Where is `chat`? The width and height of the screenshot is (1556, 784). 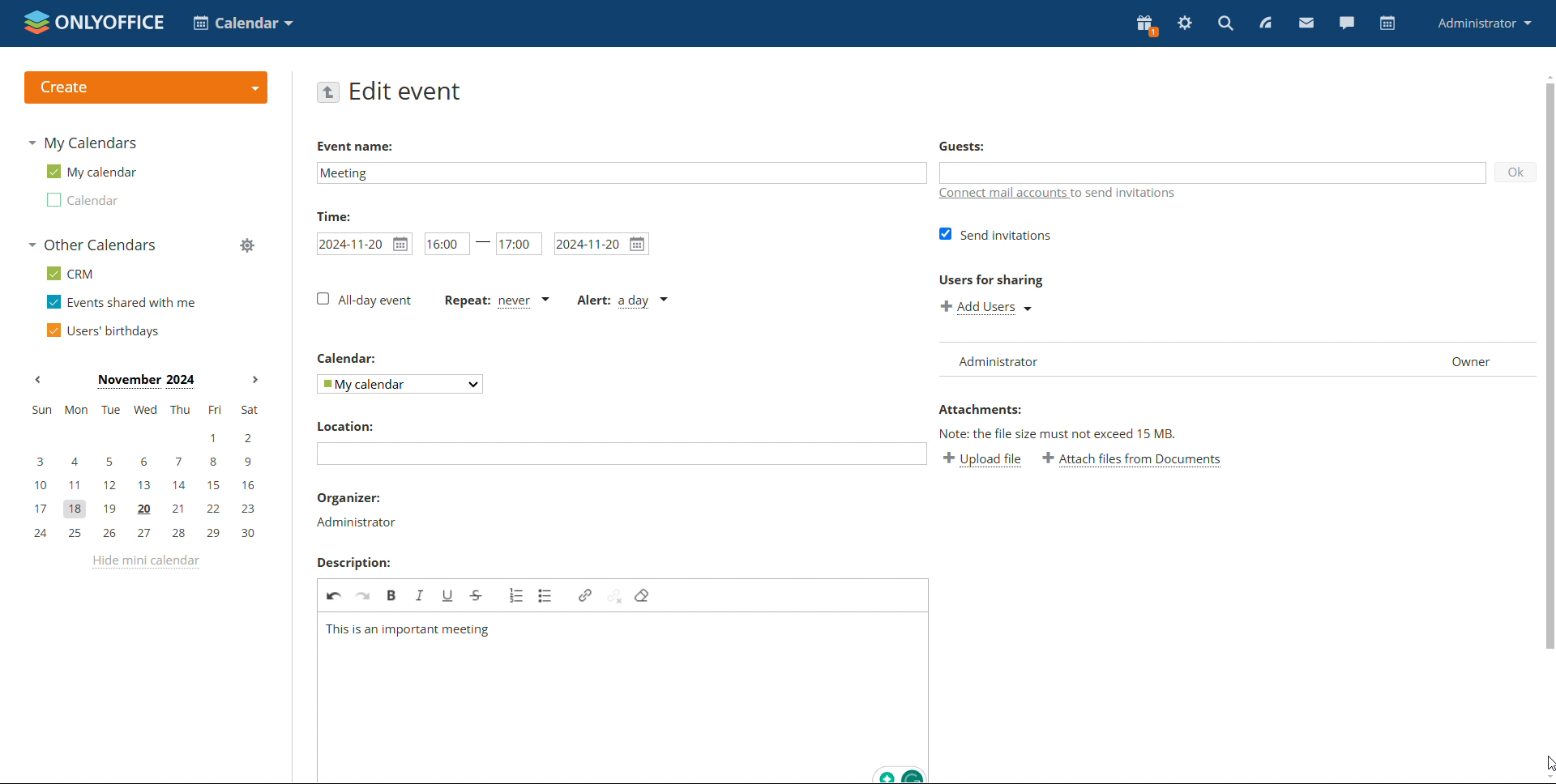
chat is located at coordinates (1346, 23).